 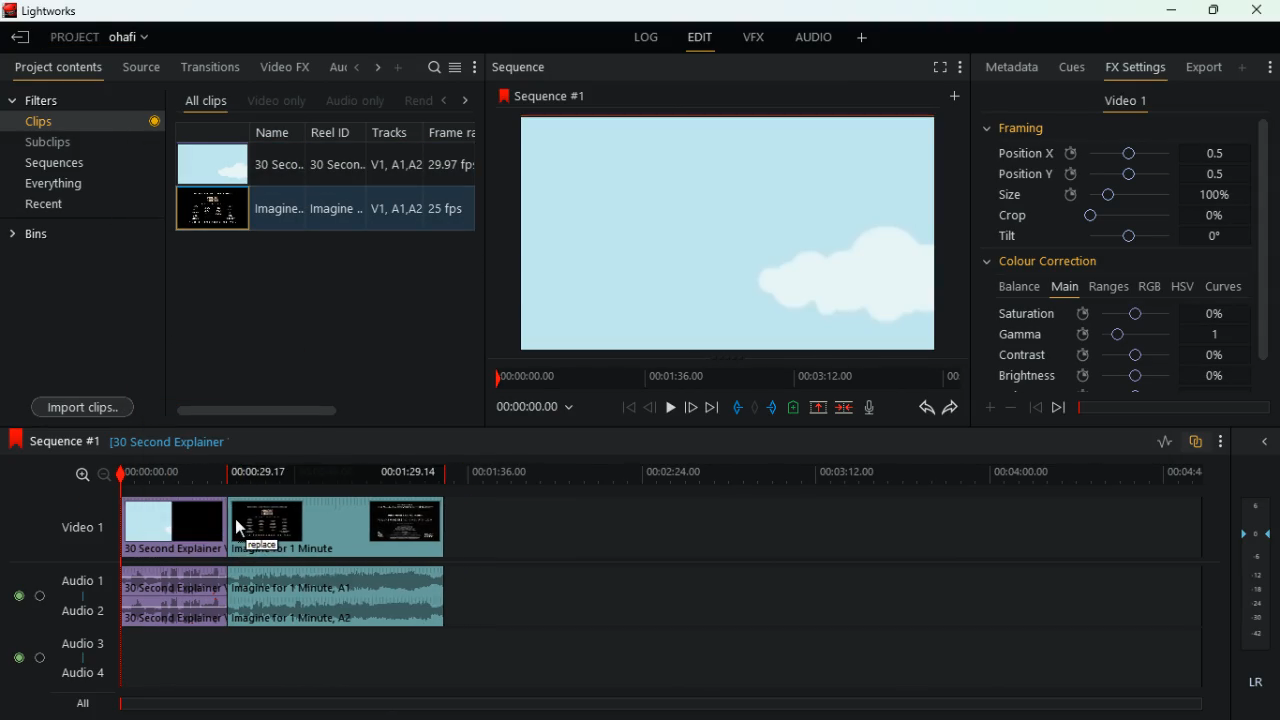 What do you see at coordinates (133, 39) in the screenshot?
I see `project name` at bounding box center [133, 39].